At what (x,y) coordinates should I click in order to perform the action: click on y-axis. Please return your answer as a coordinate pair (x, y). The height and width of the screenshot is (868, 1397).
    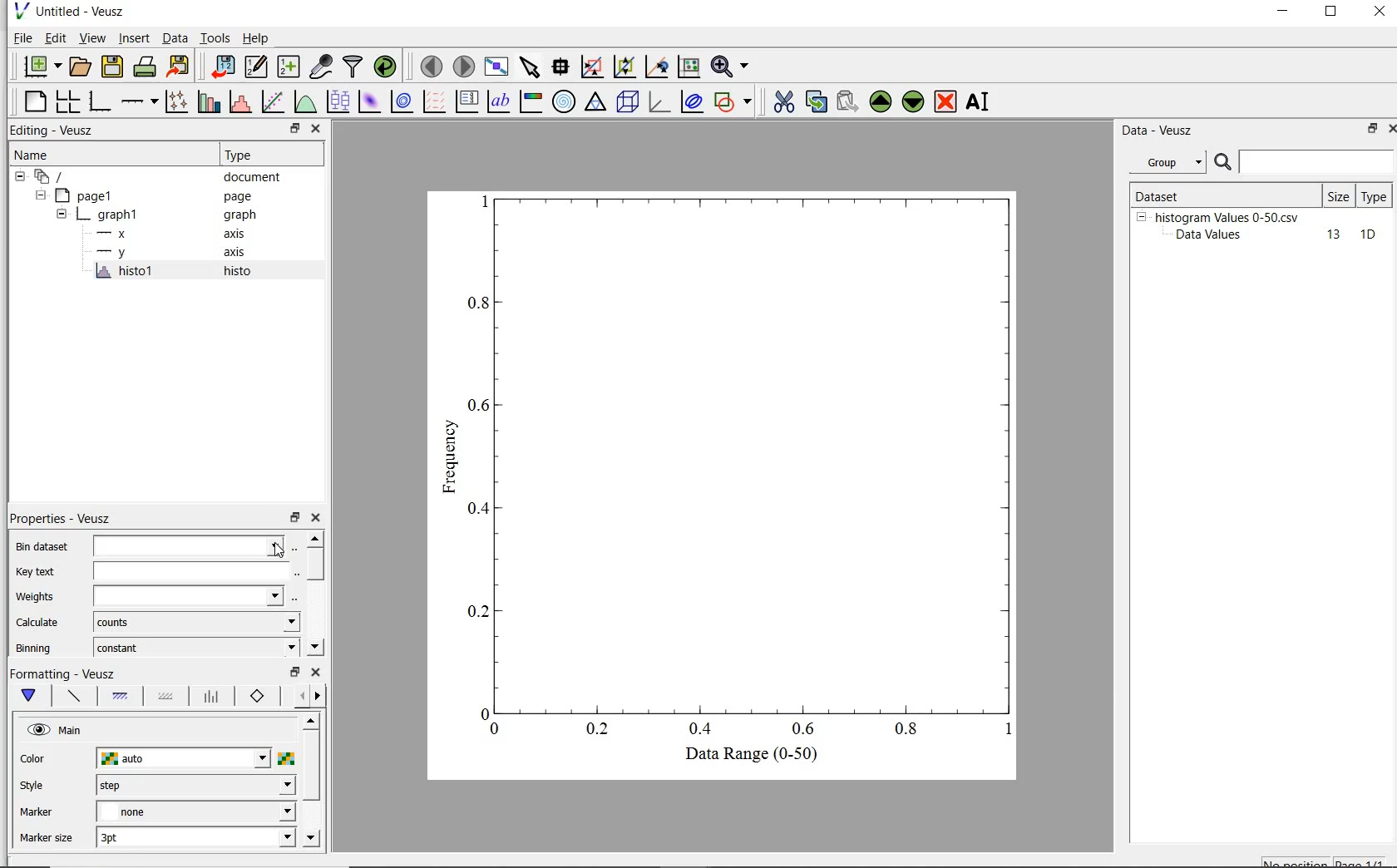
    Looking at the image, I should click on (115, 253).